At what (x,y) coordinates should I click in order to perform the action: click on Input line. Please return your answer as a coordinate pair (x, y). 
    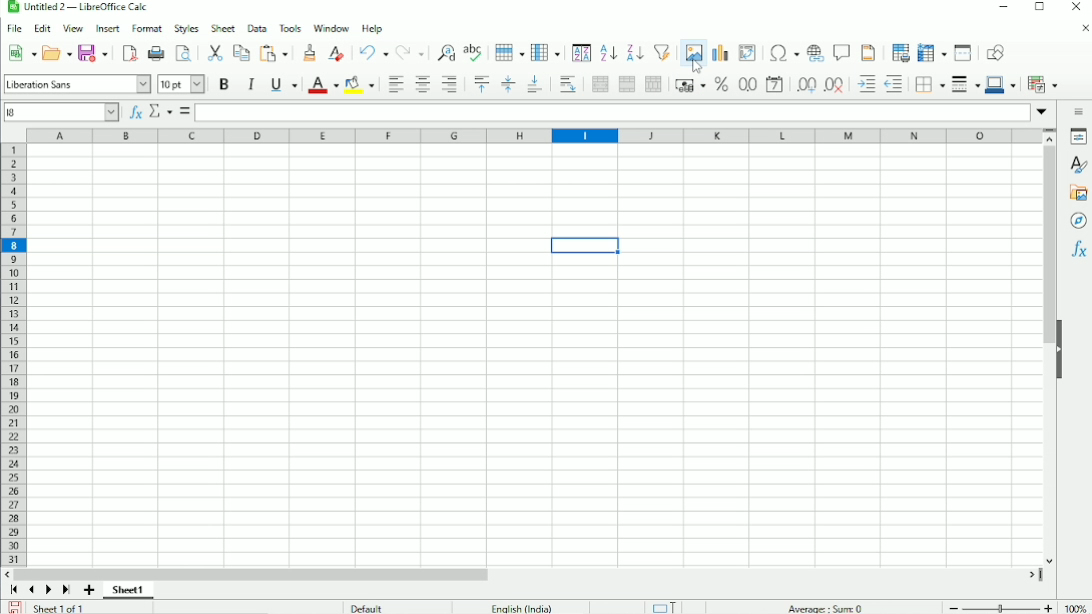
    Looking at the image, I should click on (613, 113).